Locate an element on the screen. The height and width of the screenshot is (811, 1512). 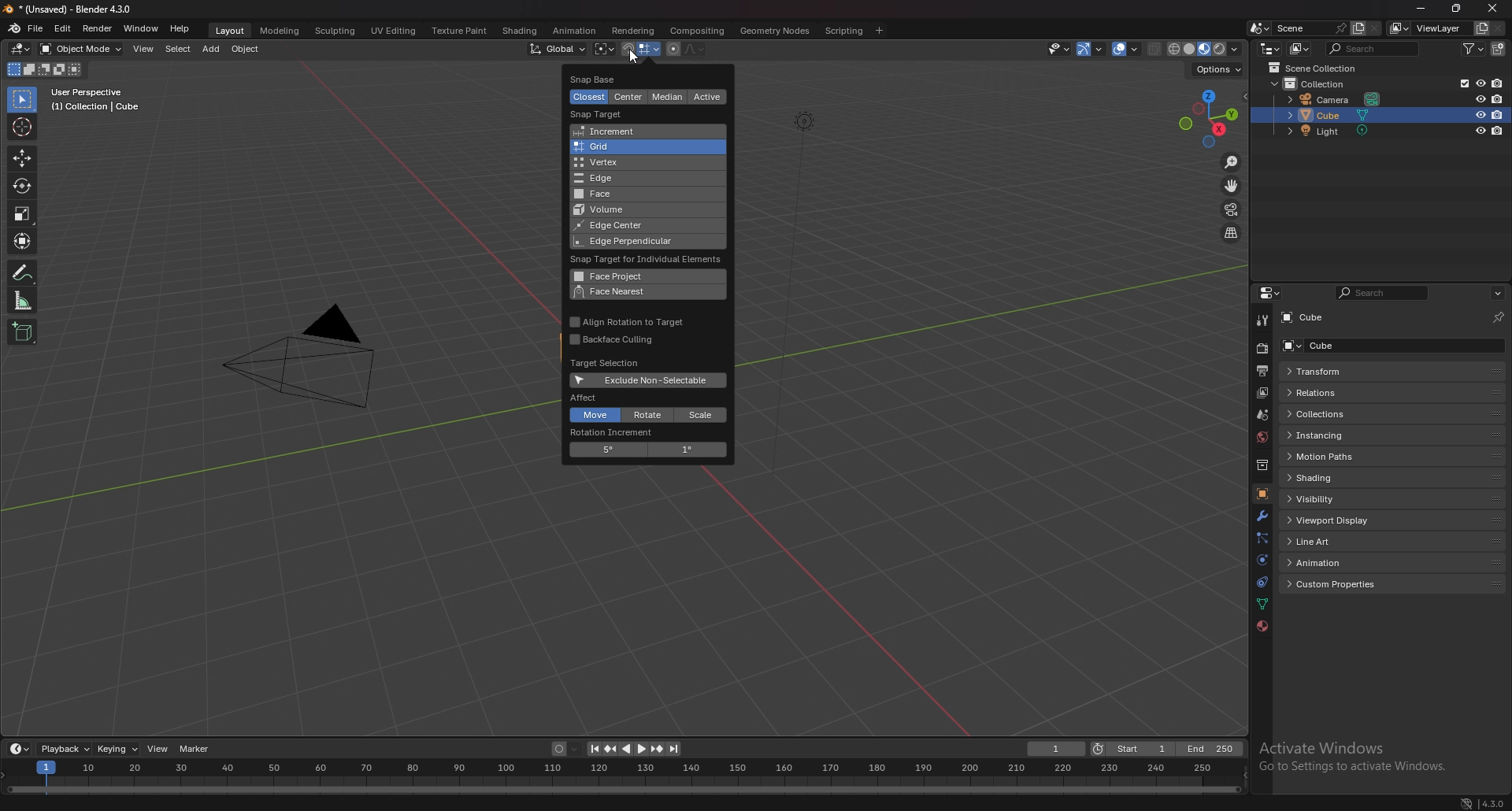
select is located at coordinates (177, 49).